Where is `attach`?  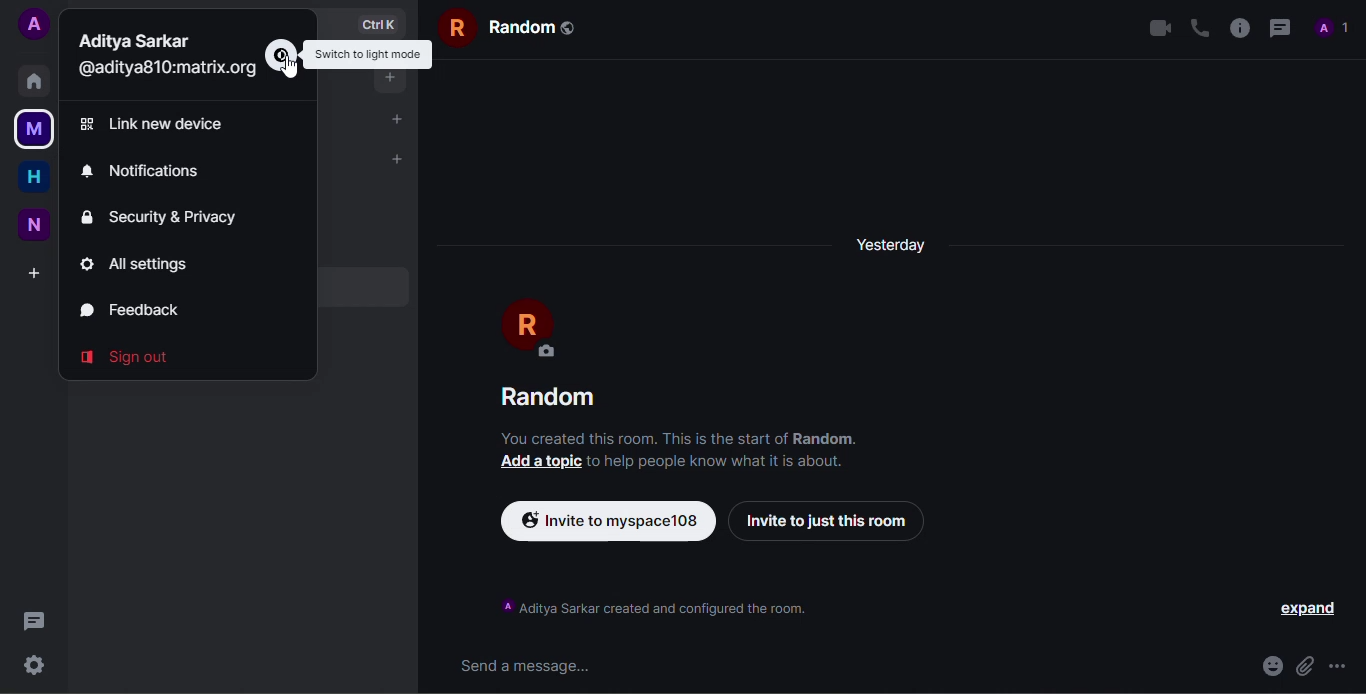
attach is located at coordinates (1307, 664).